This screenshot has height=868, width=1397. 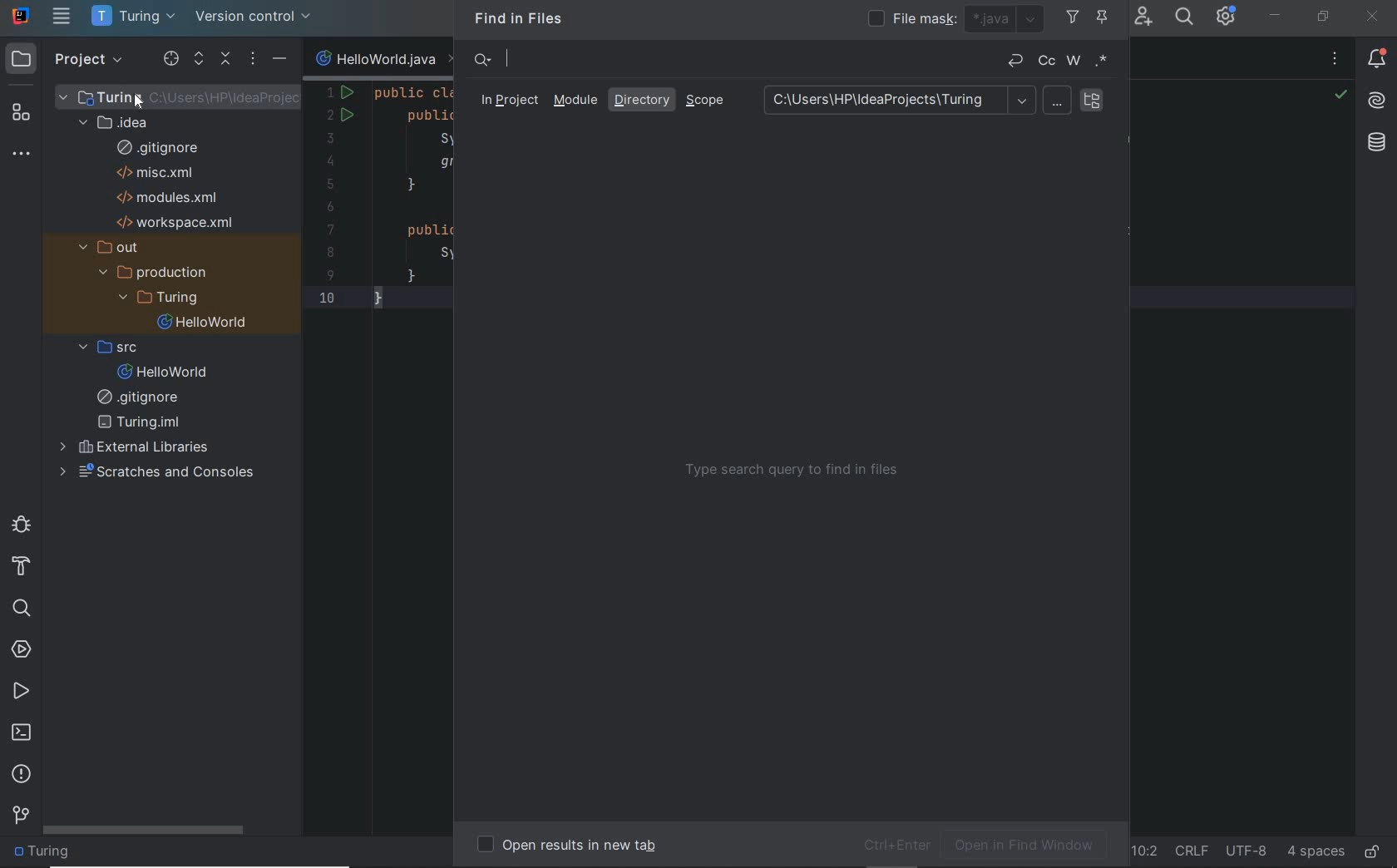 What do you see at coordinates (1183, 18) in the screenshot?
I see `search everywhere` at bounding box center [1183, 18].